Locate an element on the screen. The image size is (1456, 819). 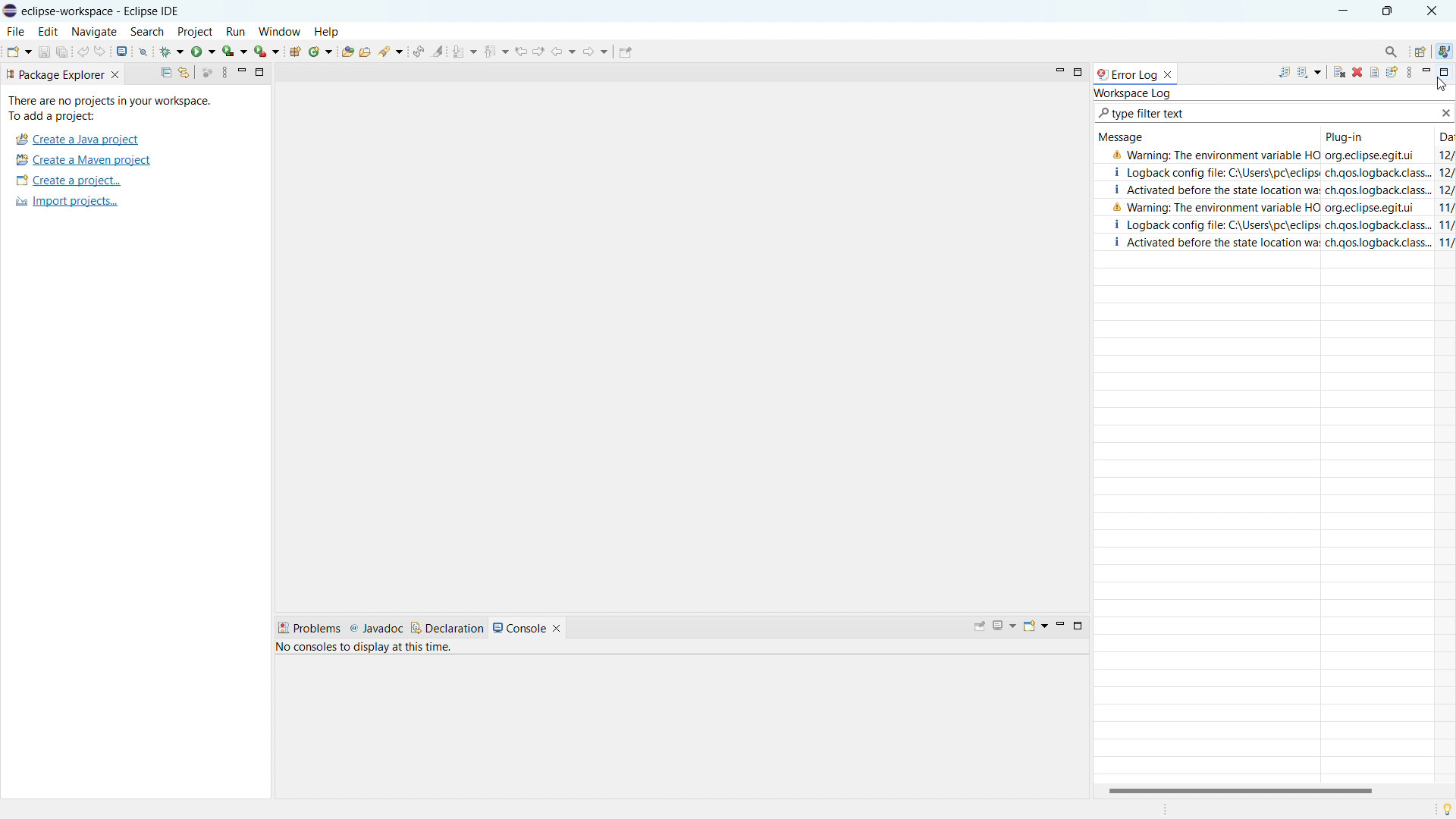
individual error logs is located at coordinates (1275, 155).